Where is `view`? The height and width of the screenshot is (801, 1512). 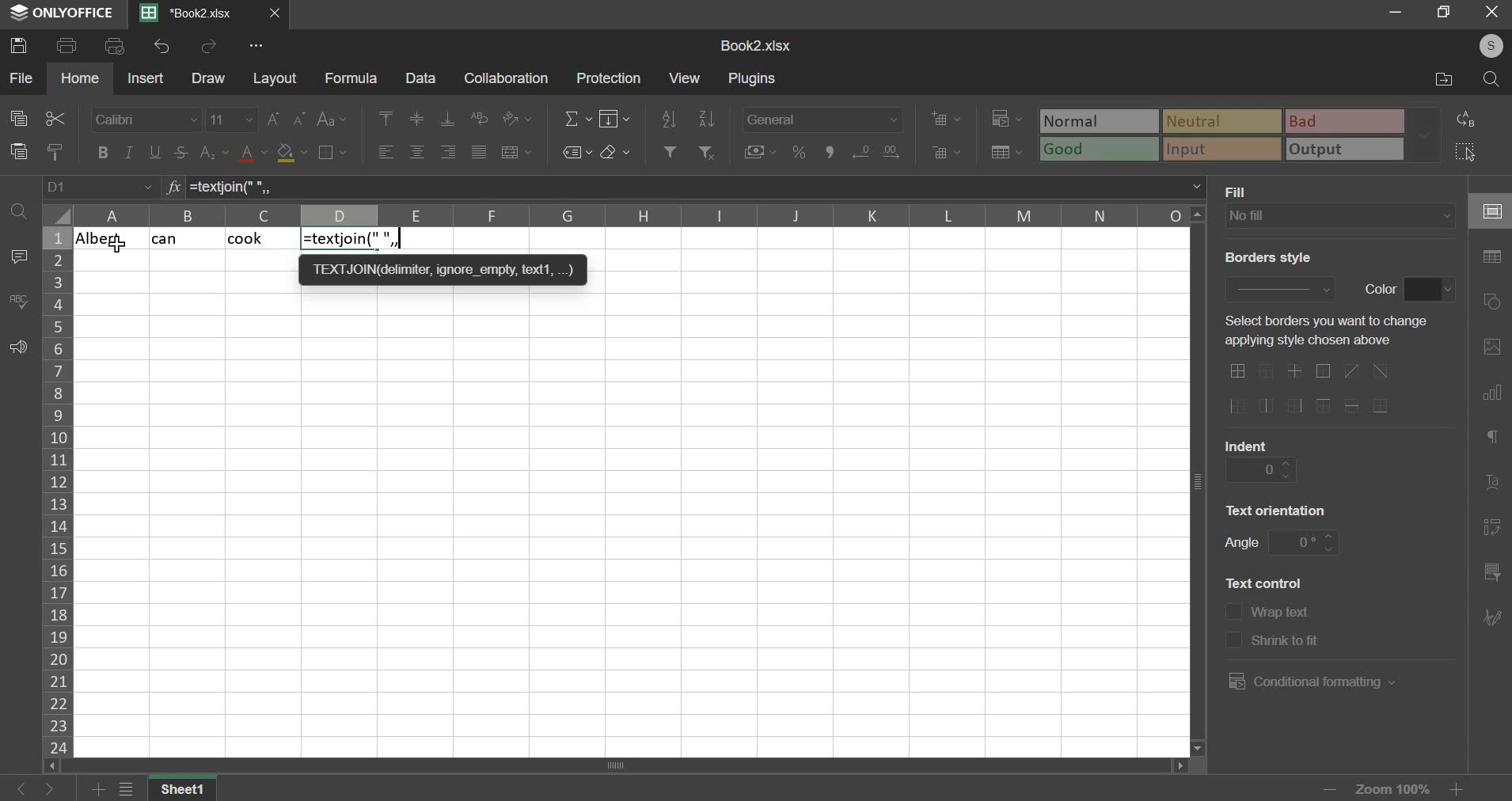
view is located at coordinates (684, 77).